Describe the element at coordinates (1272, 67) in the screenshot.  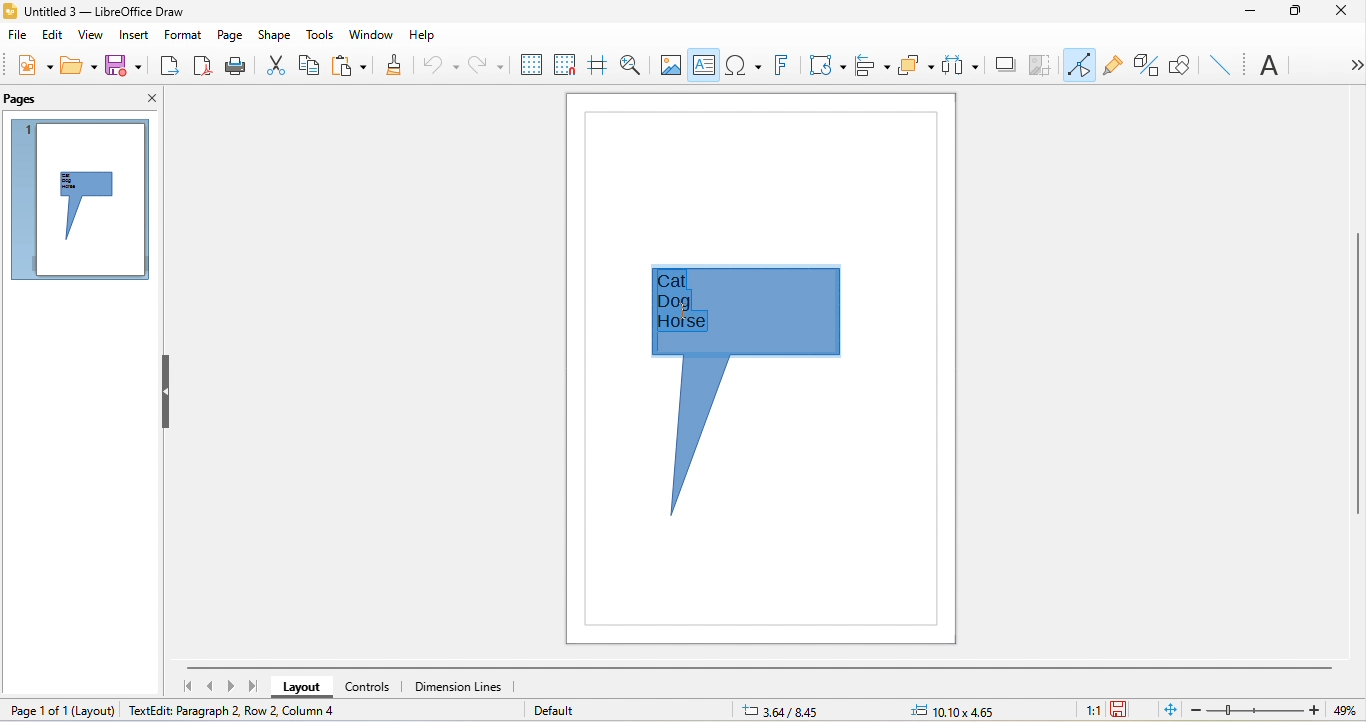
I see `text` at that location.